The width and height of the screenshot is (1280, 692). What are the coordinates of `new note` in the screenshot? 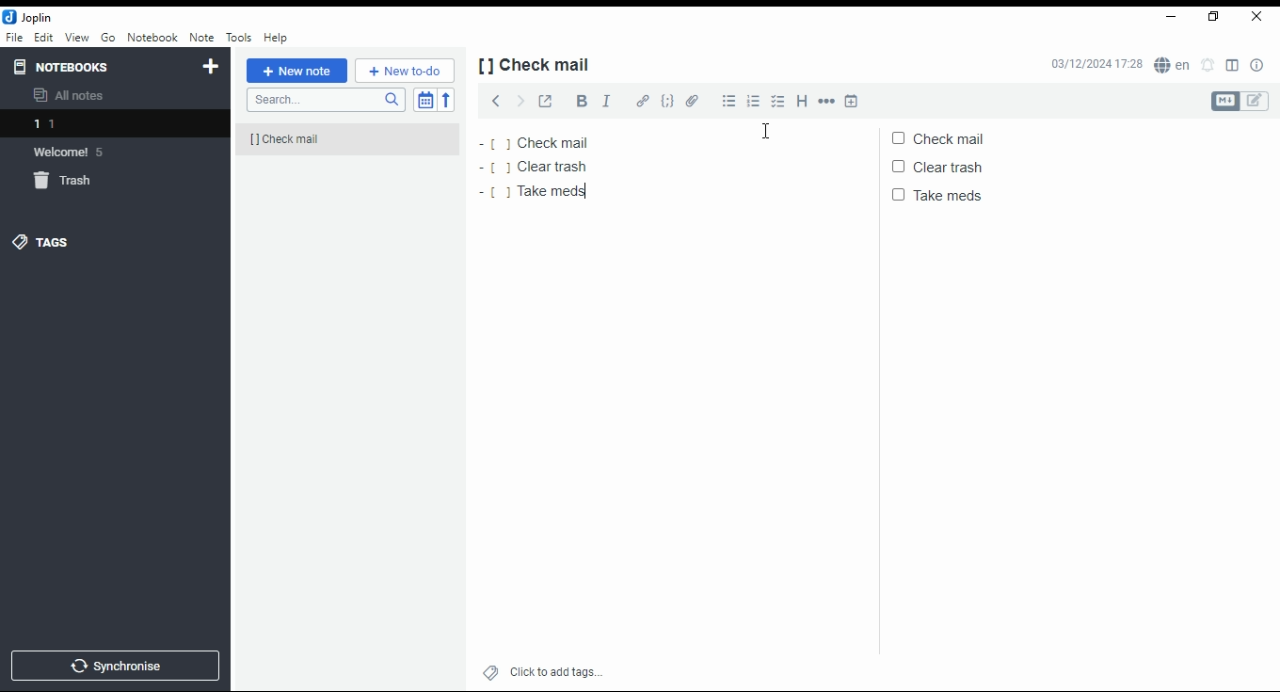 It's located at (297, 71).